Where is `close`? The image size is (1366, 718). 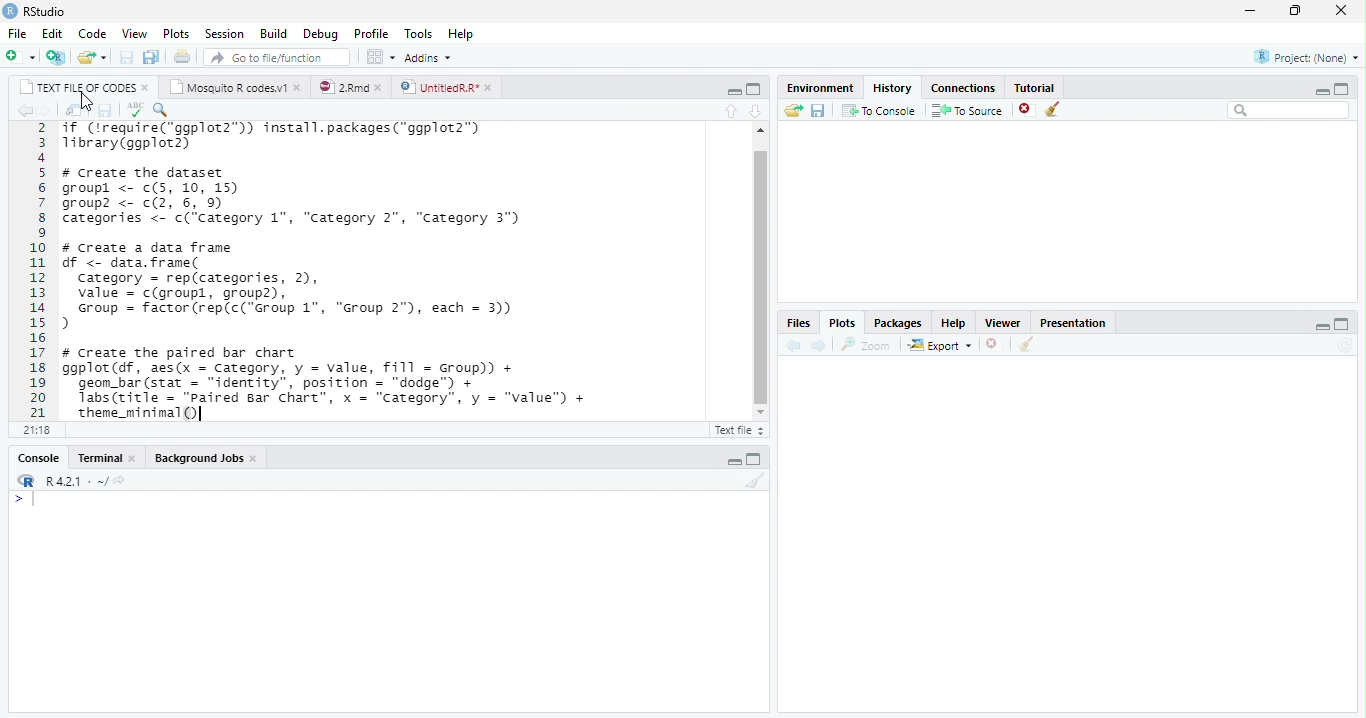 close is located at coordinates (489, 88).